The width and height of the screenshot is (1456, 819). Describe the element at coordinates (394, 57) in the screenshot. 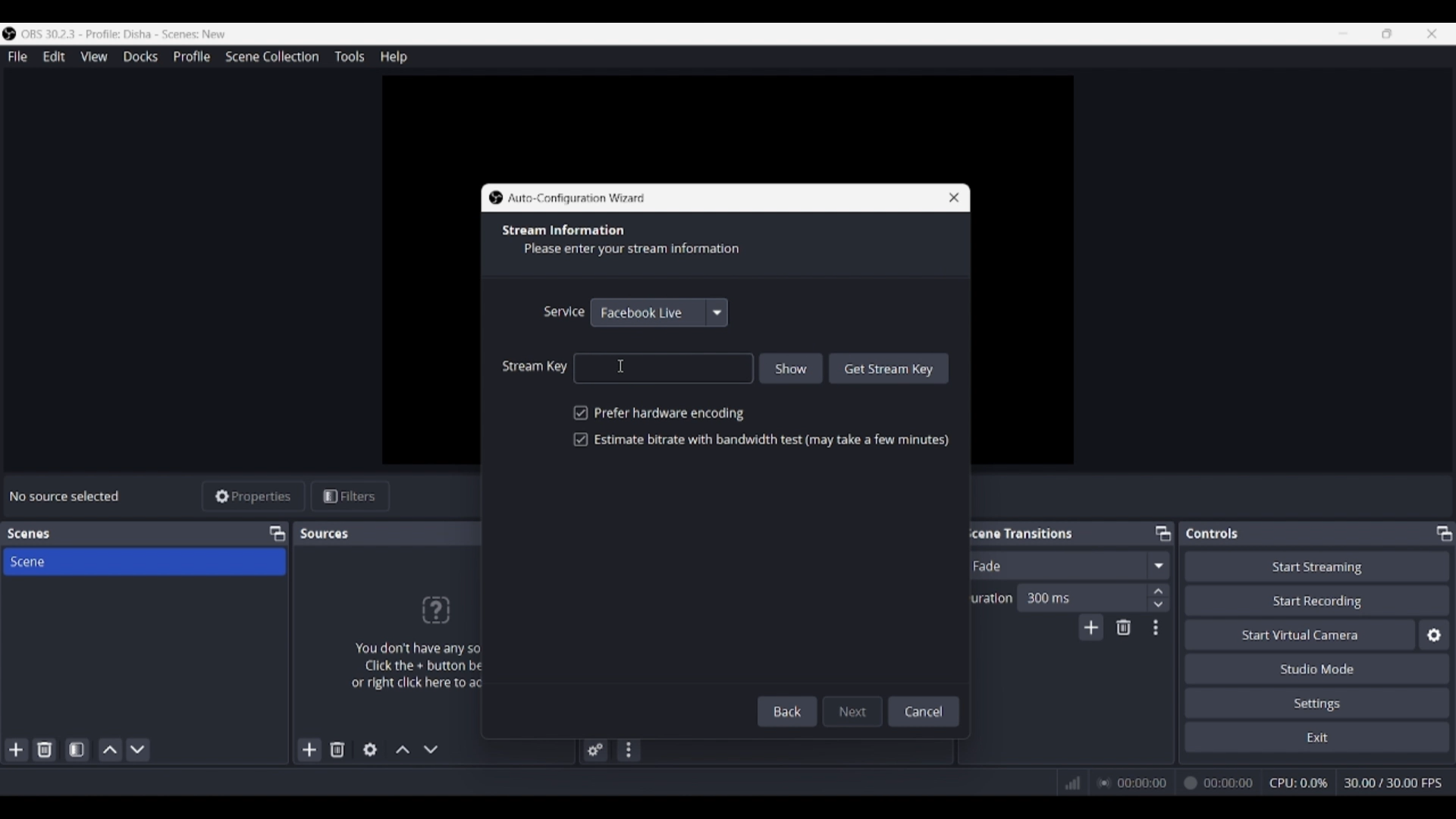

I see `Help menu` at that location.